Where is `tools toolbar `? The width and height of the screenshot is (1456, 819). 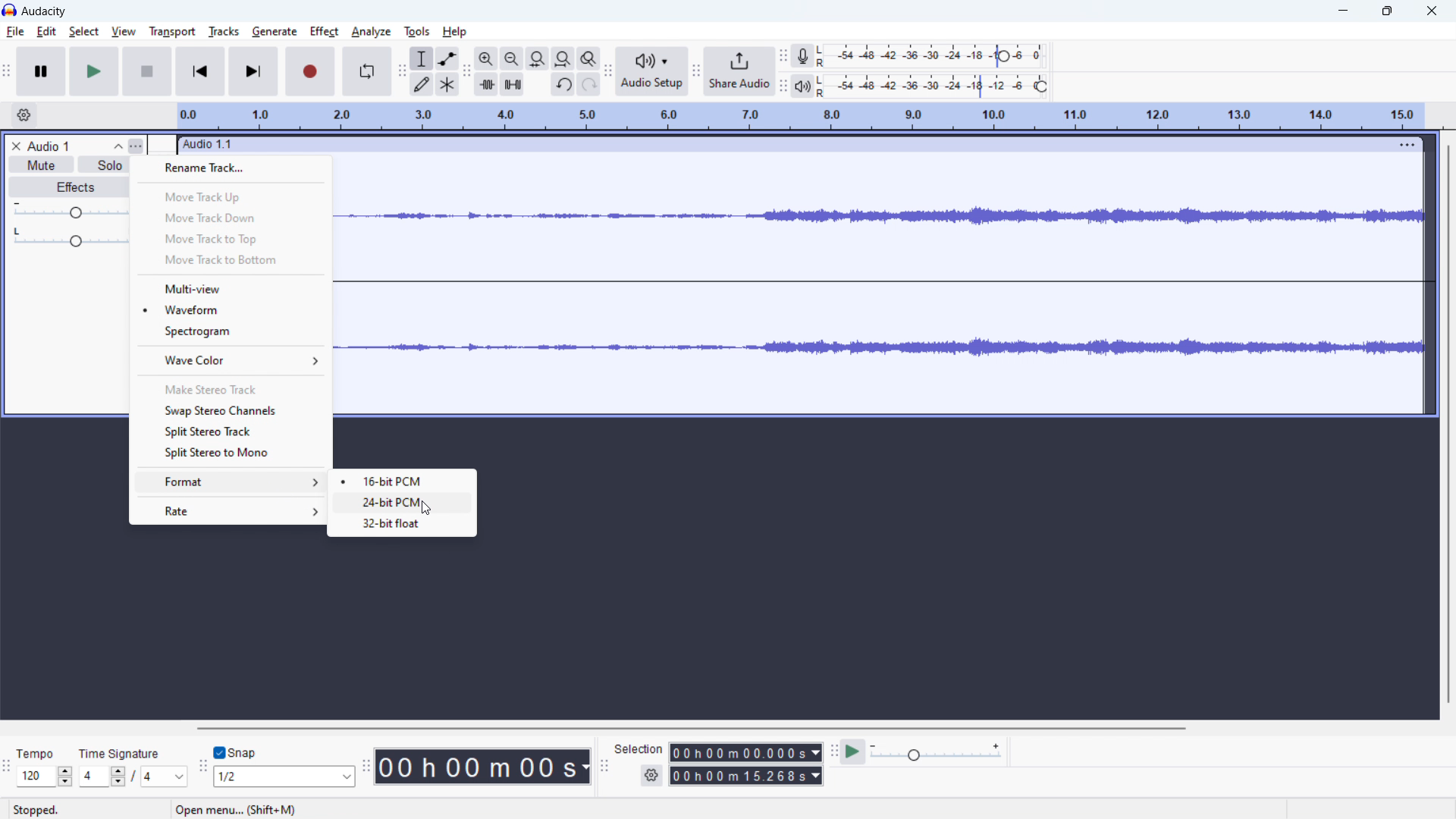
tools toolbar  is located at coordinates (401, 71).